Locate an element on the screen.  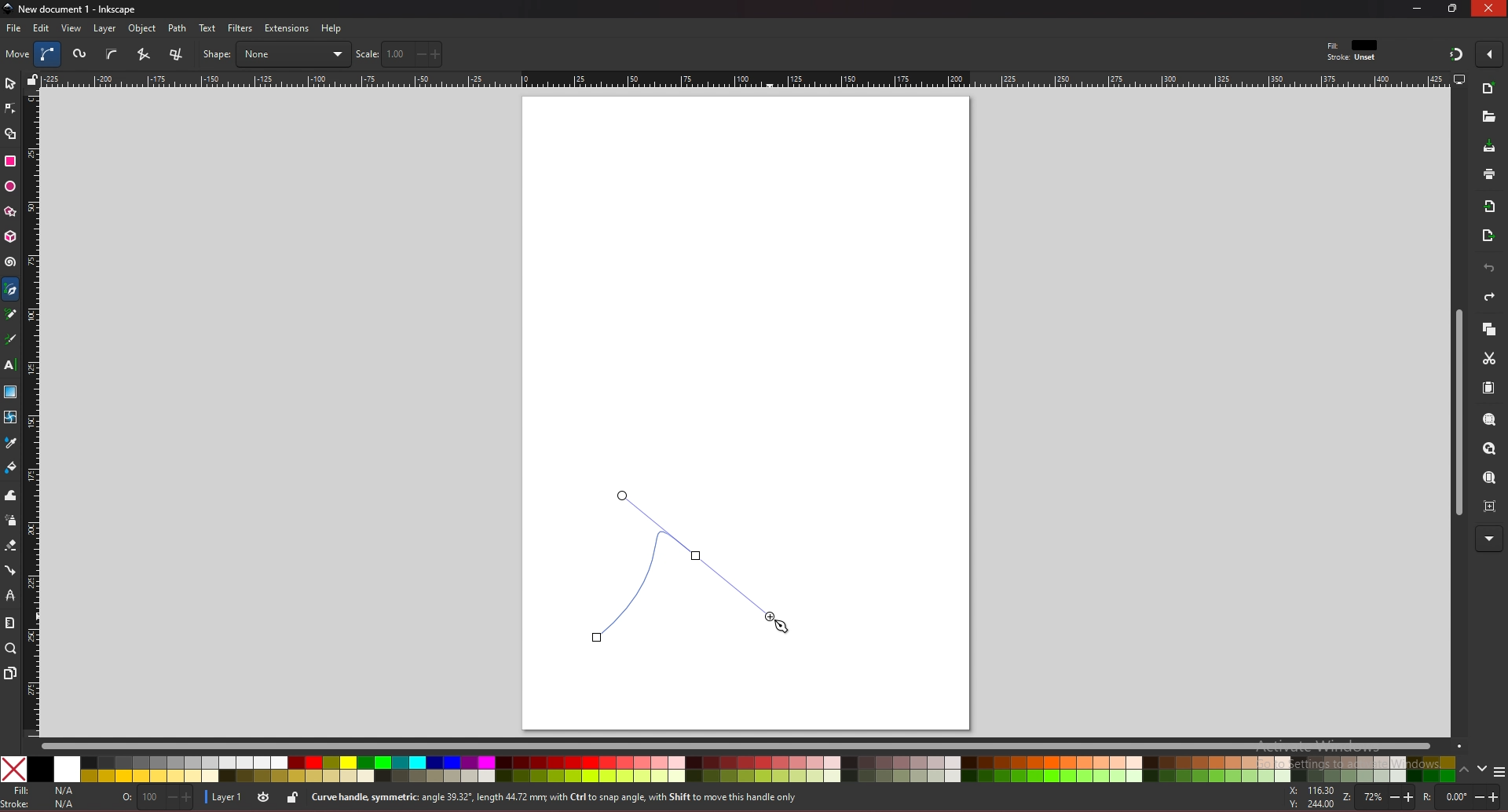
export is located at coordinates (1488, 236).